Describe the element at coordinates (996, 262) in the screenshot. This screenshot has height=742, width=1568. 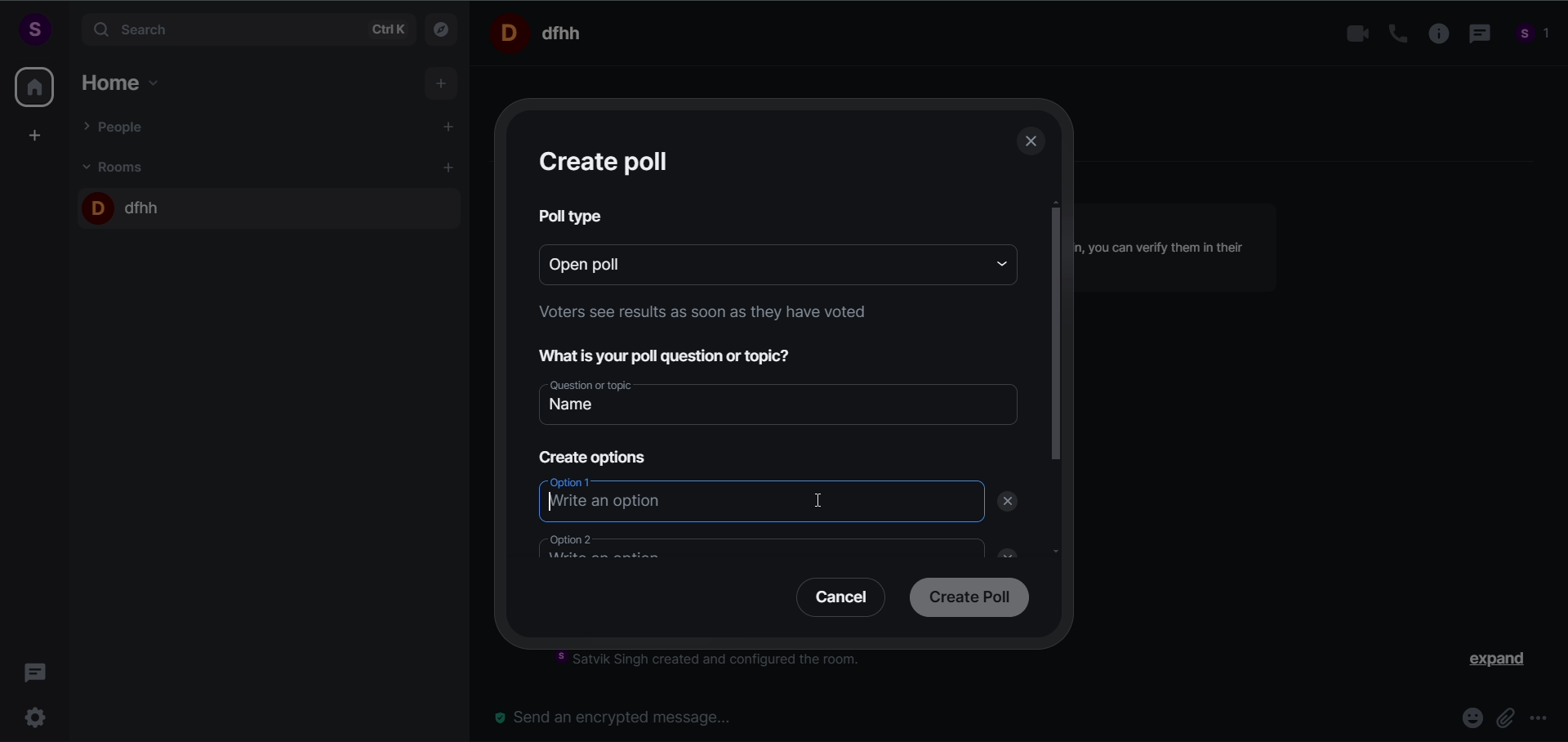
I see `poll type dropdown` at that location.